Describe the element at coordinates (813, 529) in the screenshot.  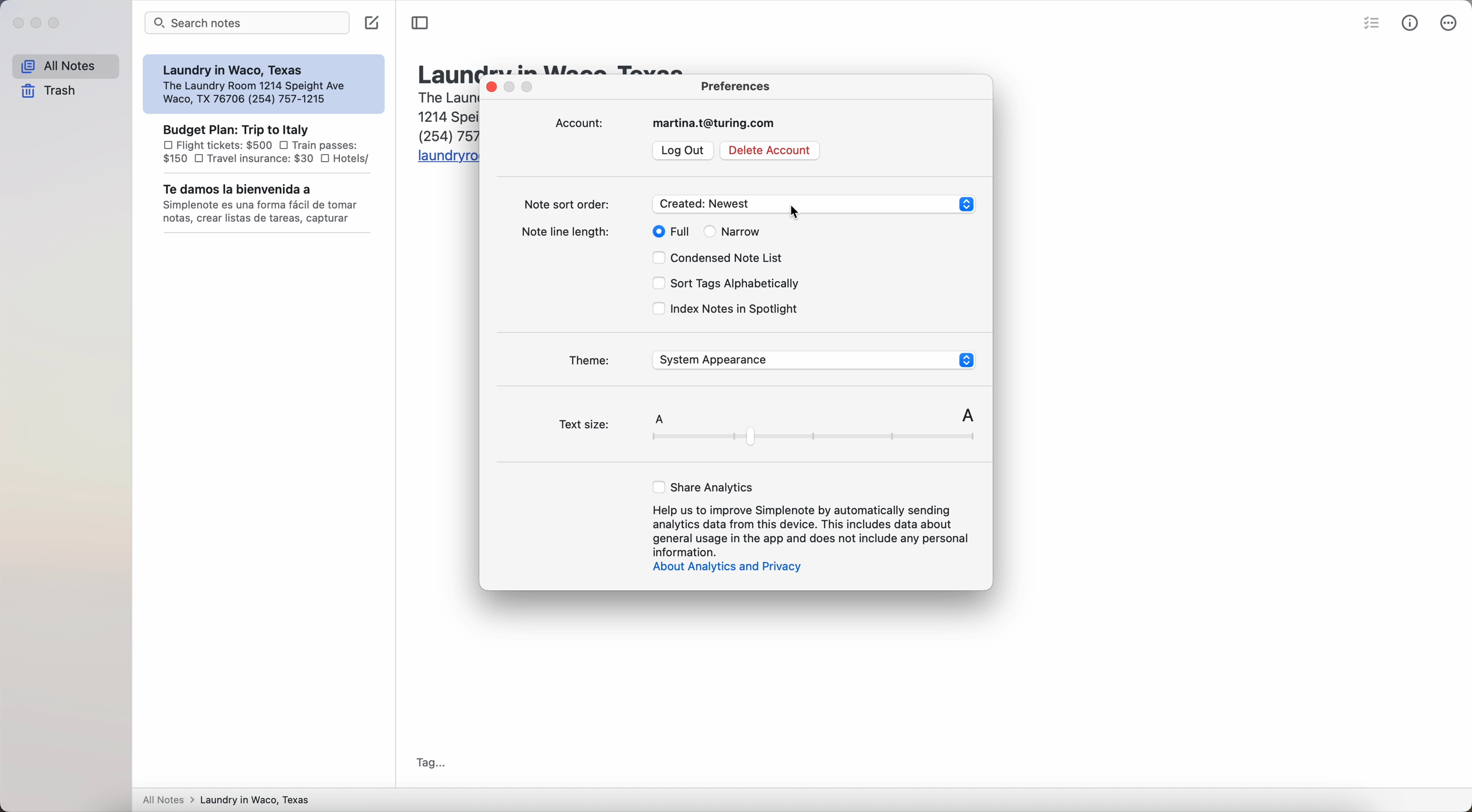
I see `Help us to improve Simplenote by automatically sending analytics data from this devices.` at that location.